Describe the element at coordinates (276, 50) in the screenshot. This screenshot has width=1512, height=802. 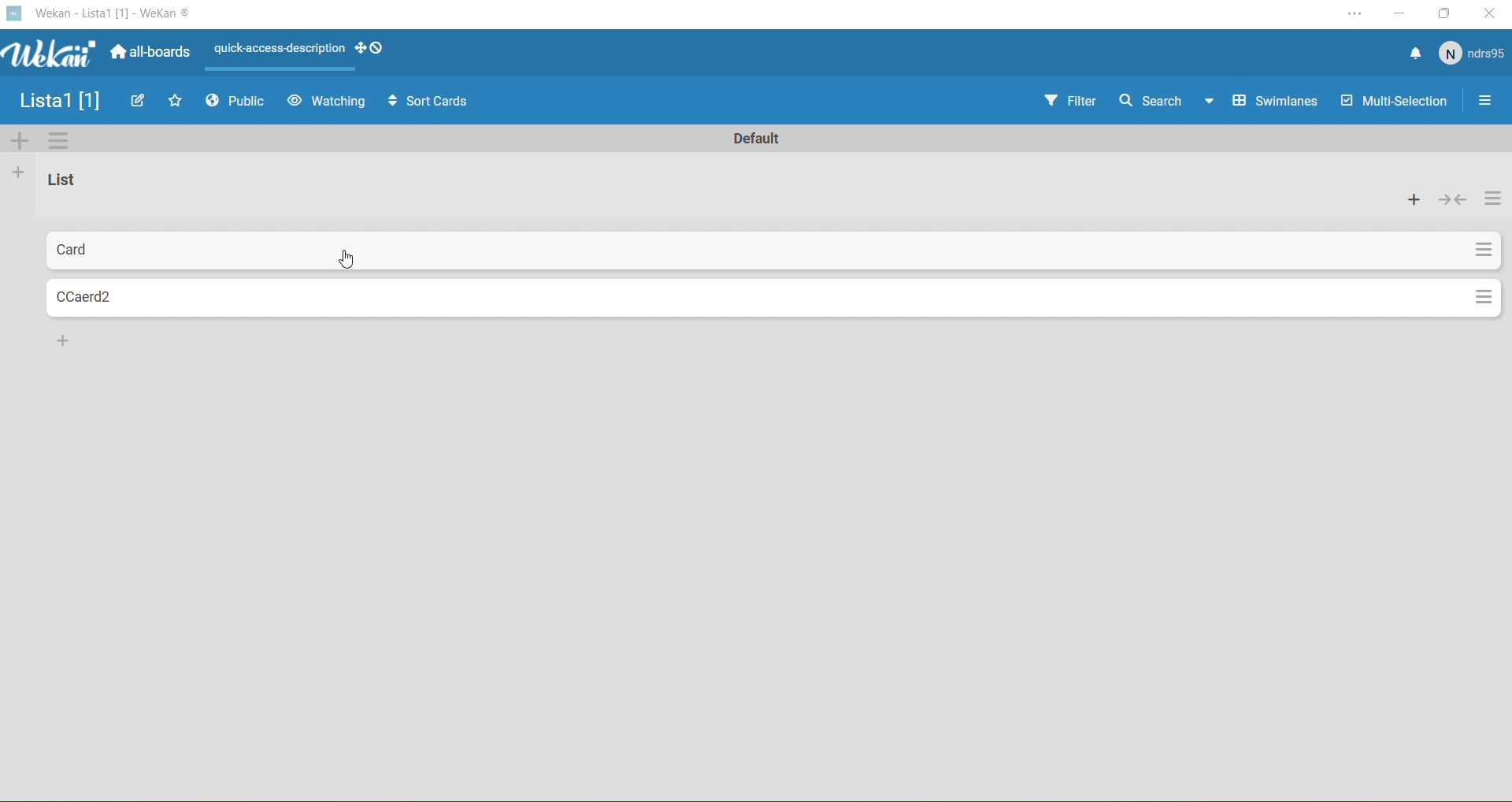
I see `Layout Actions` at that location.